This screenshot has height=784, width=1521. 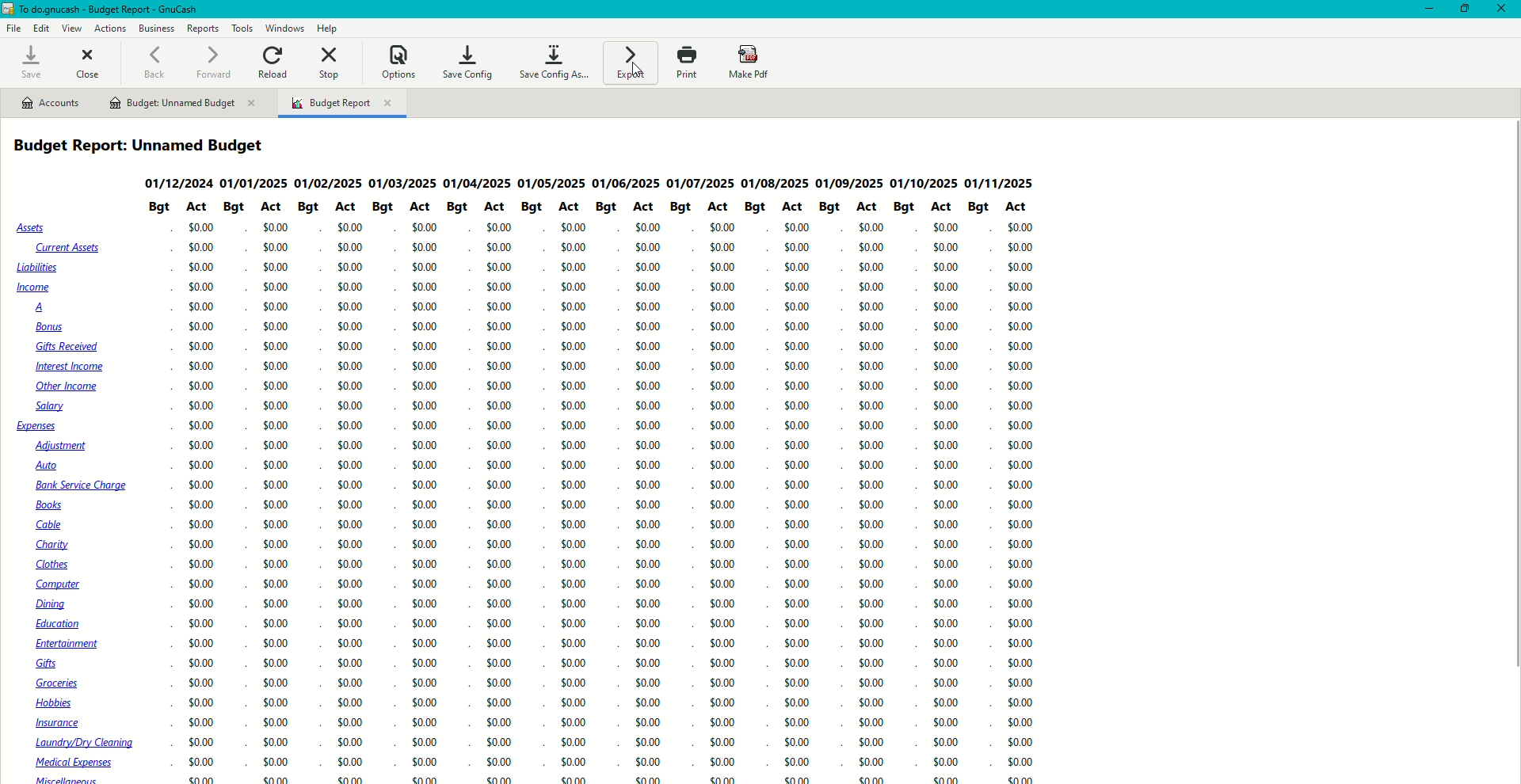 What do you see at coordinates (650, 424) in the screenshot?
I see `$0.00` at bounding box center [650, 424].